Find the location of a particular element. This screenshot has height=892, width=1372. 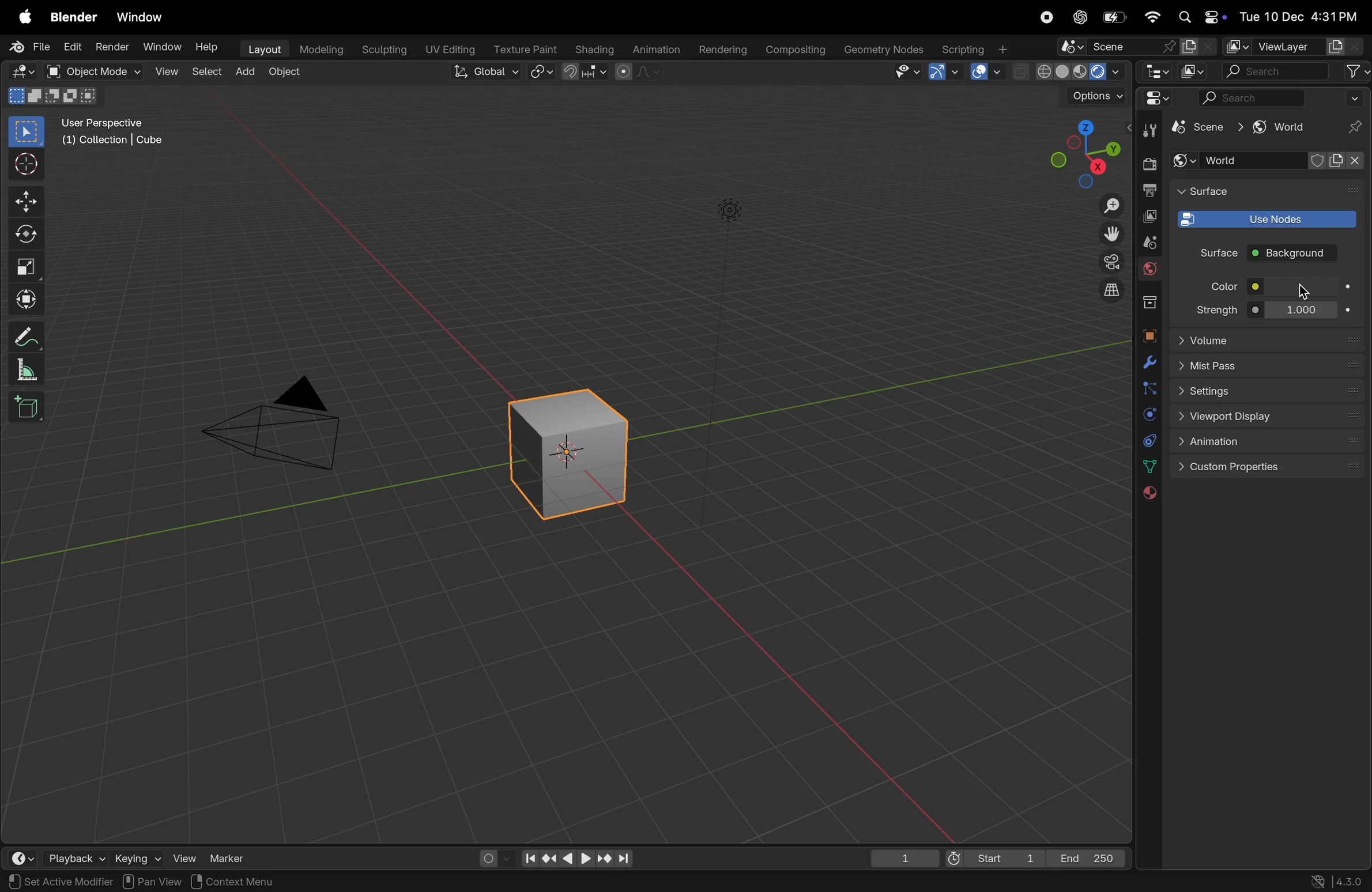

image is located at coordinates (1195, 71).